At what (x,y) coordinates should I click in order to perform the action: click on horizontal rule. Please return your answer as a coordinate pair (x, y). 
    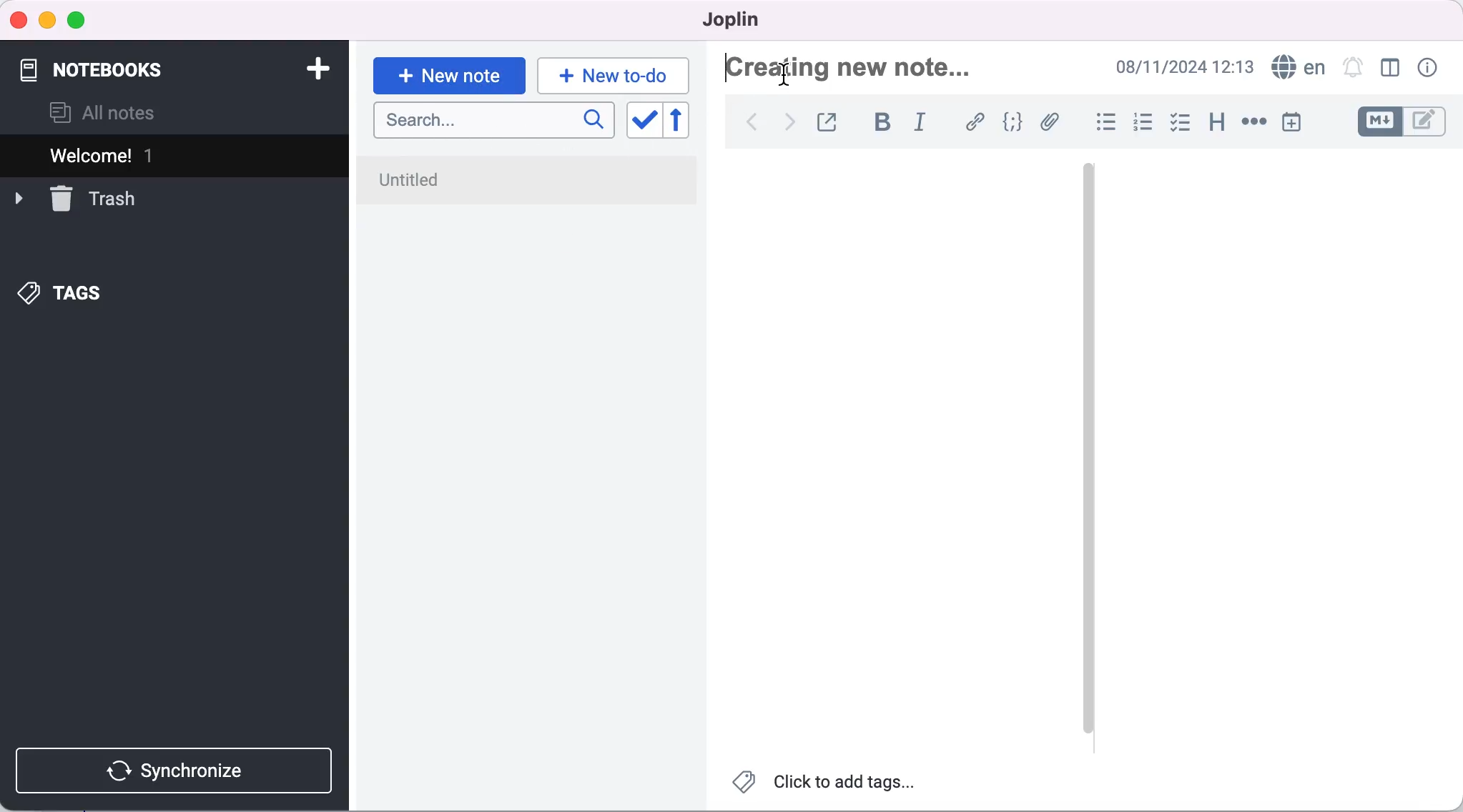
    Looking at the image, I should click on (1253, 123).